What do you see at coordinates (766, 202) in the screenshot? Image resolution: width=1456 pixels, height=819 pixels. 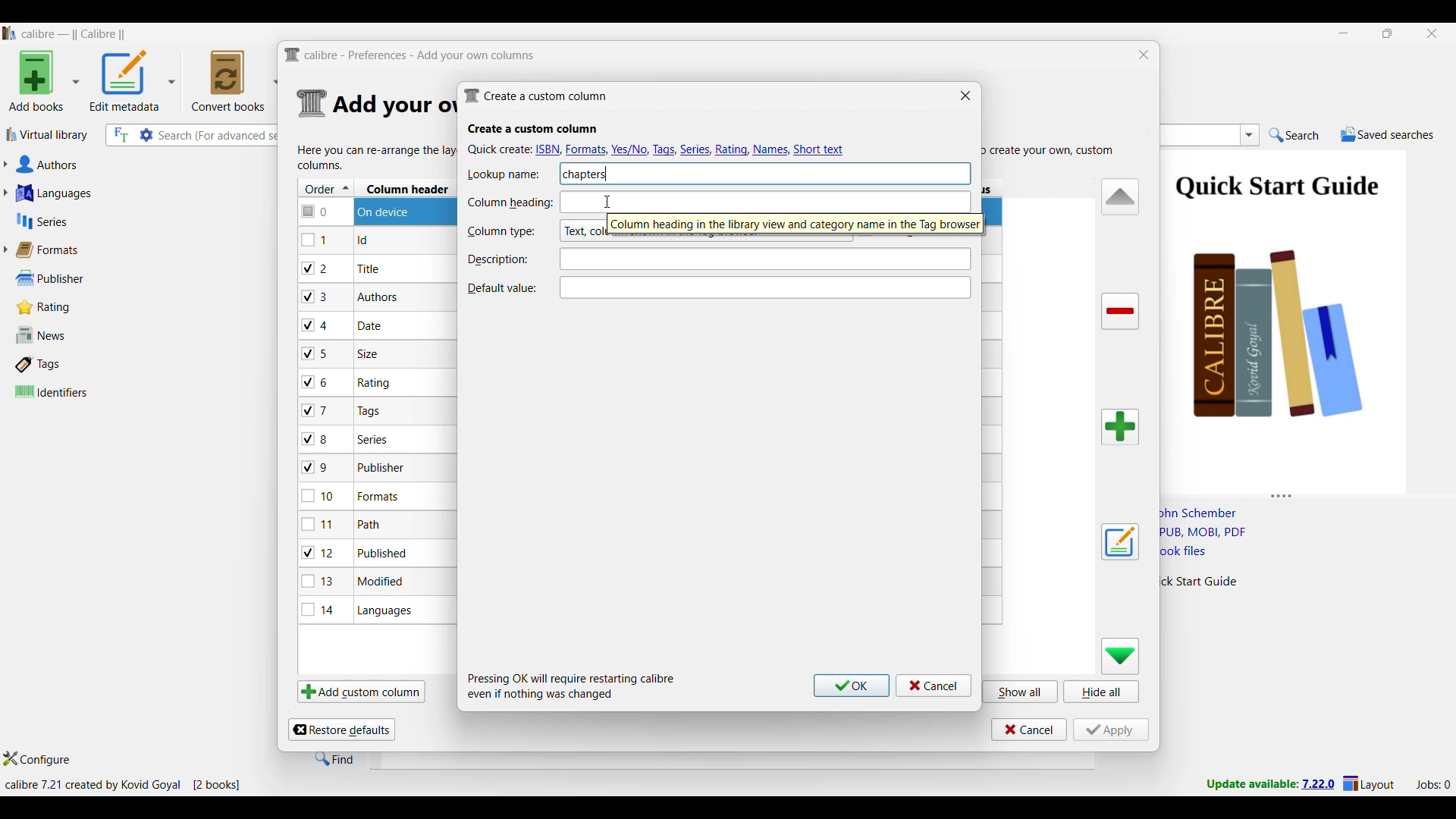 I see `text` at bounding box center [766, 202].